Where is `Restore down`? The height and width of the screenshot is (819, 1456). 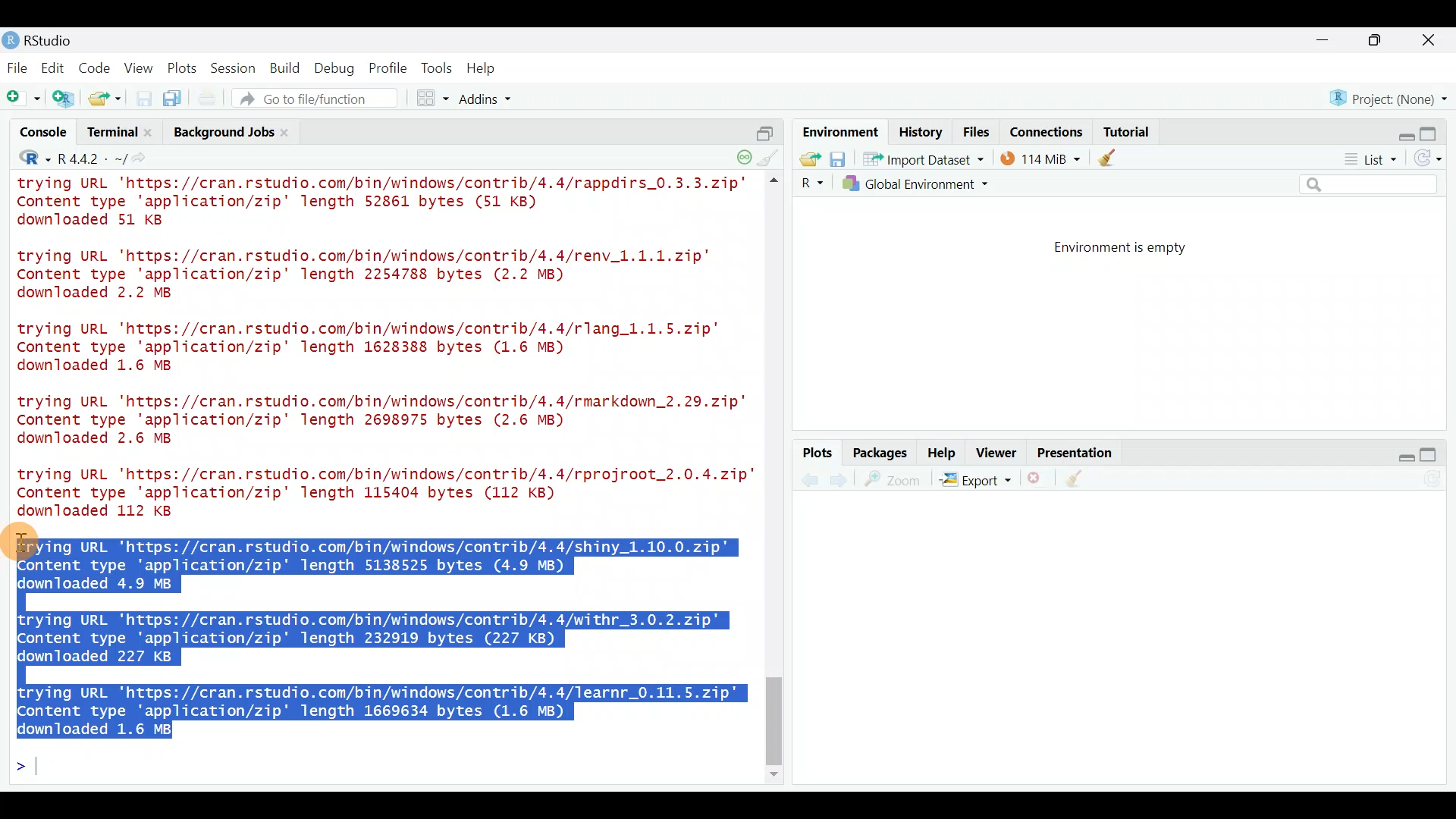
Restore down is located at coordinates (1398, 455).